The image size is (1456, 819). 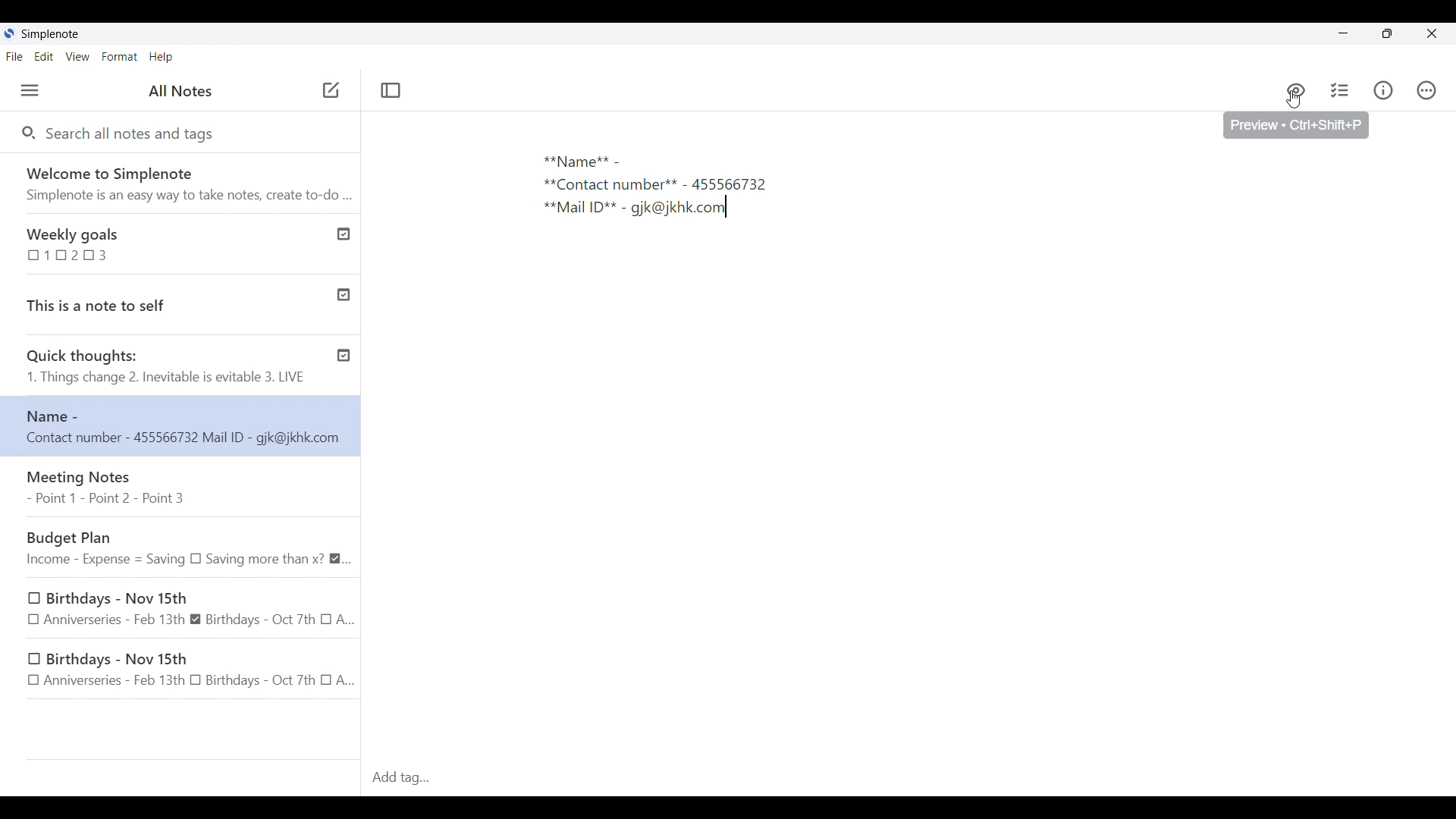 What do you see at coordinates (44, 56) in the screenshot?
I see `Edit menu` at bounding box center [44, 56].